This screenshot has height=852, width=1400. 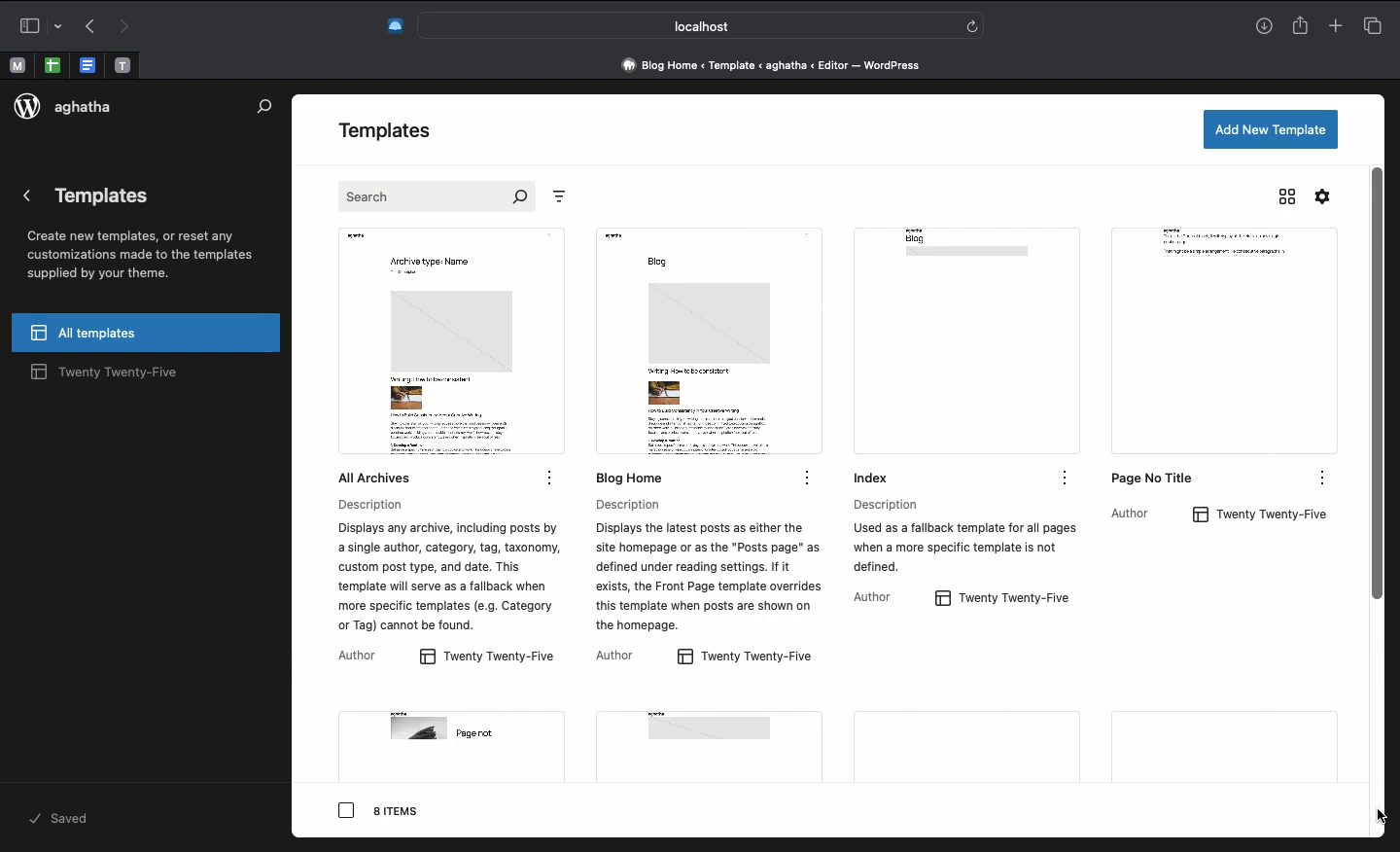 What do you see at coordinates (1219, 361) in the screenshot?
I see `page no title` at bounding box center [1219, 361].